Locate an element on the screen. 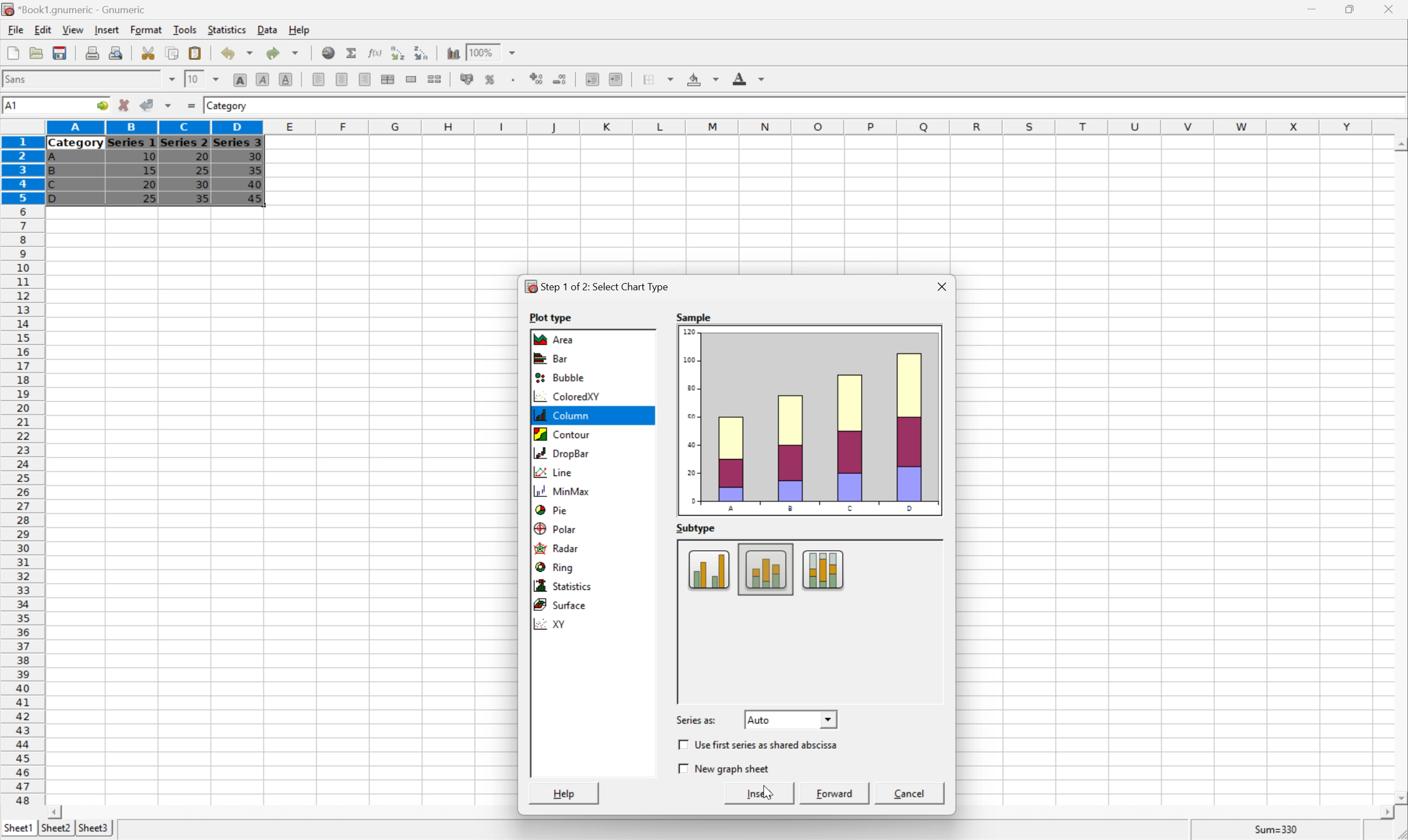 This screenshot has width=1408, height=840. S is located at coordinates (695, 318).